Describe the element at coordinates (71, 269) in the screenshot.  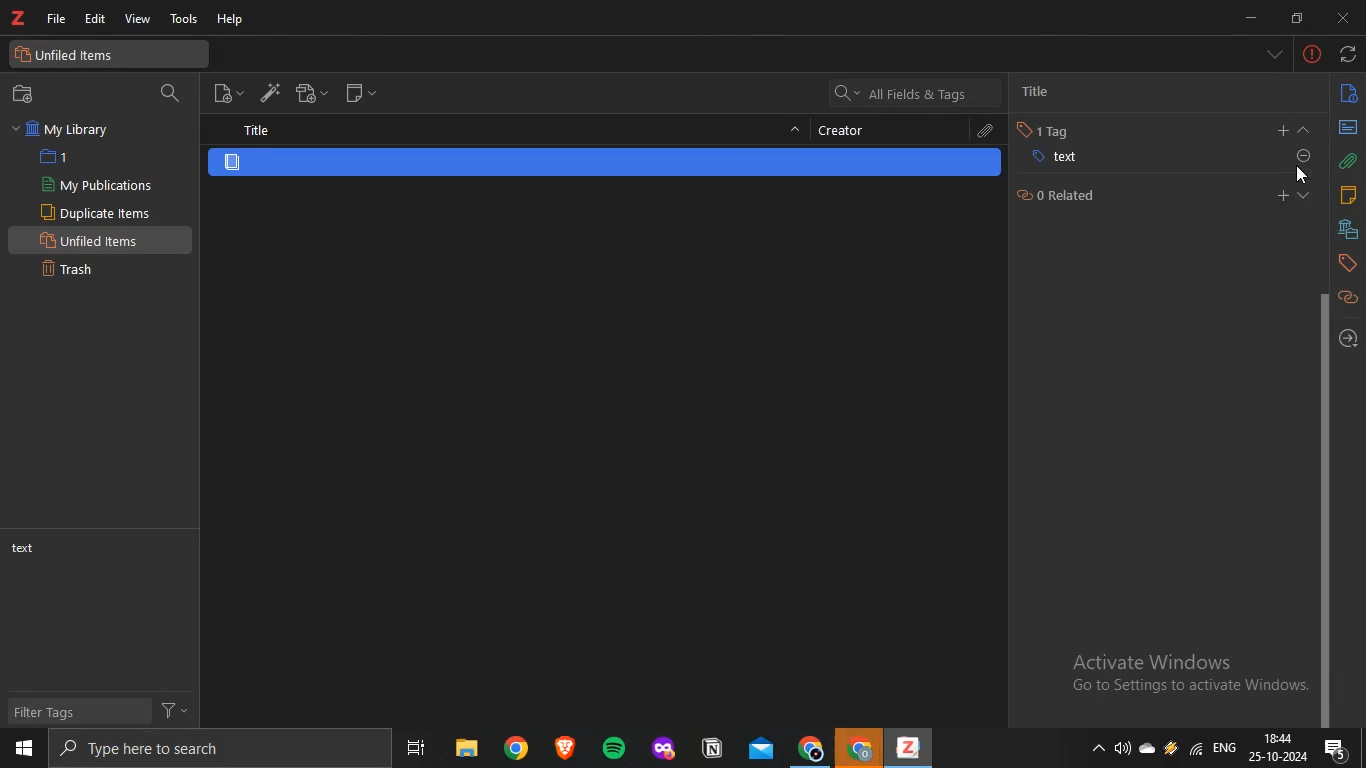
I see `trash` at that location.